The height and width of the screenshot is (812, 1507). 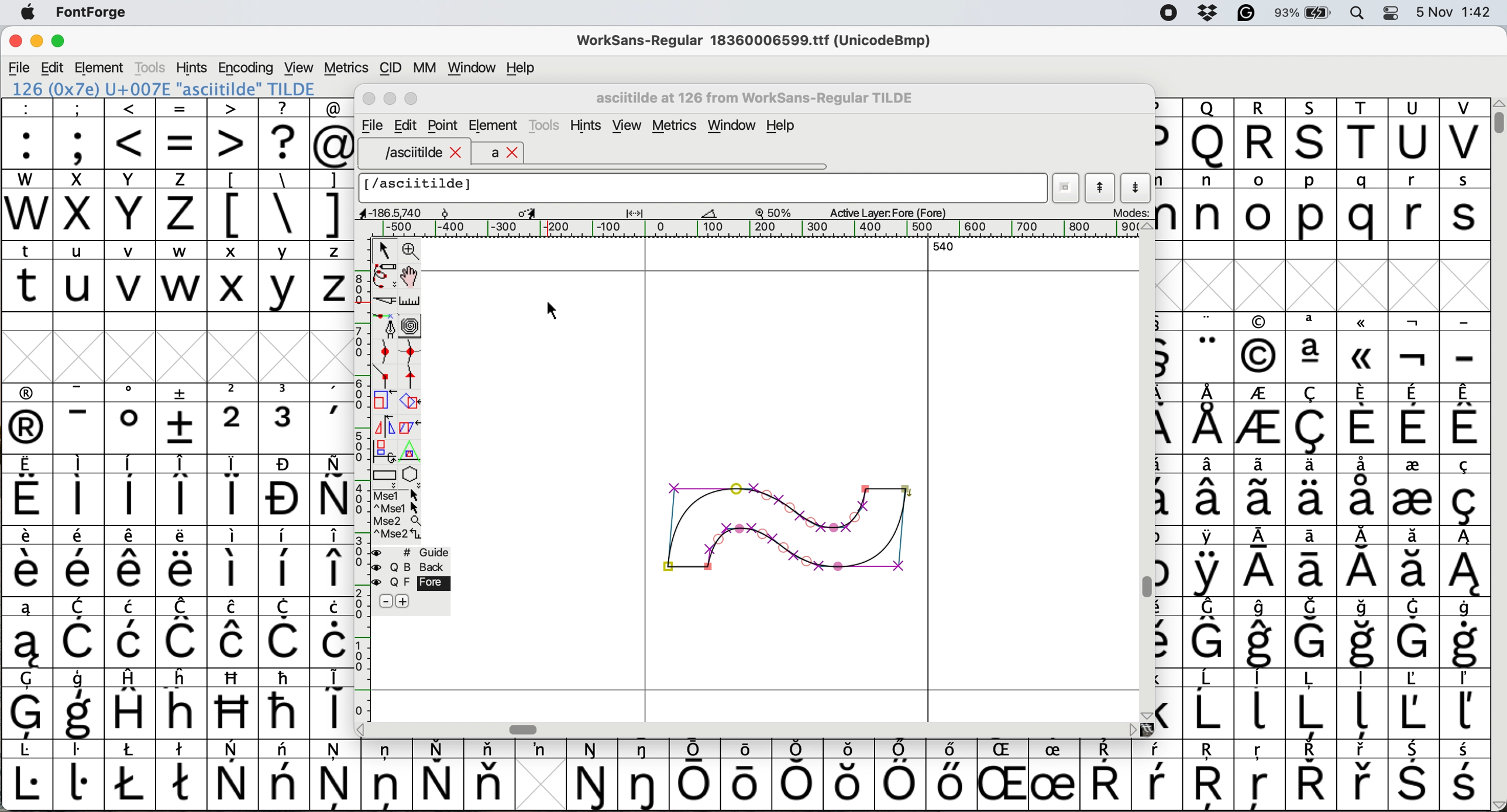 I want to click on date and time, so click(x=1454, y=11).